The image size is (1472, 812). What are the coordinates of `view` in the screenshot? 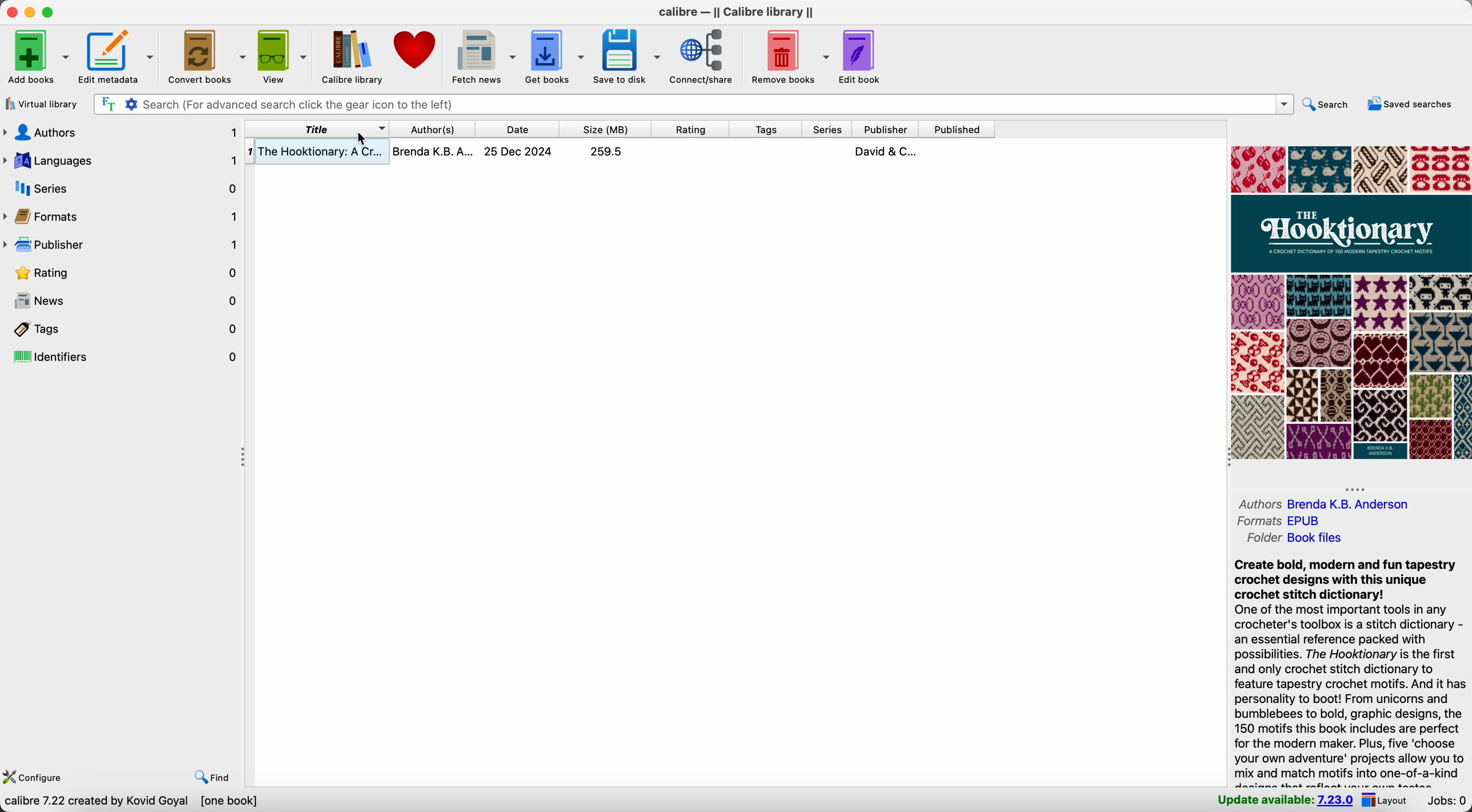 It's located at (281, 55).